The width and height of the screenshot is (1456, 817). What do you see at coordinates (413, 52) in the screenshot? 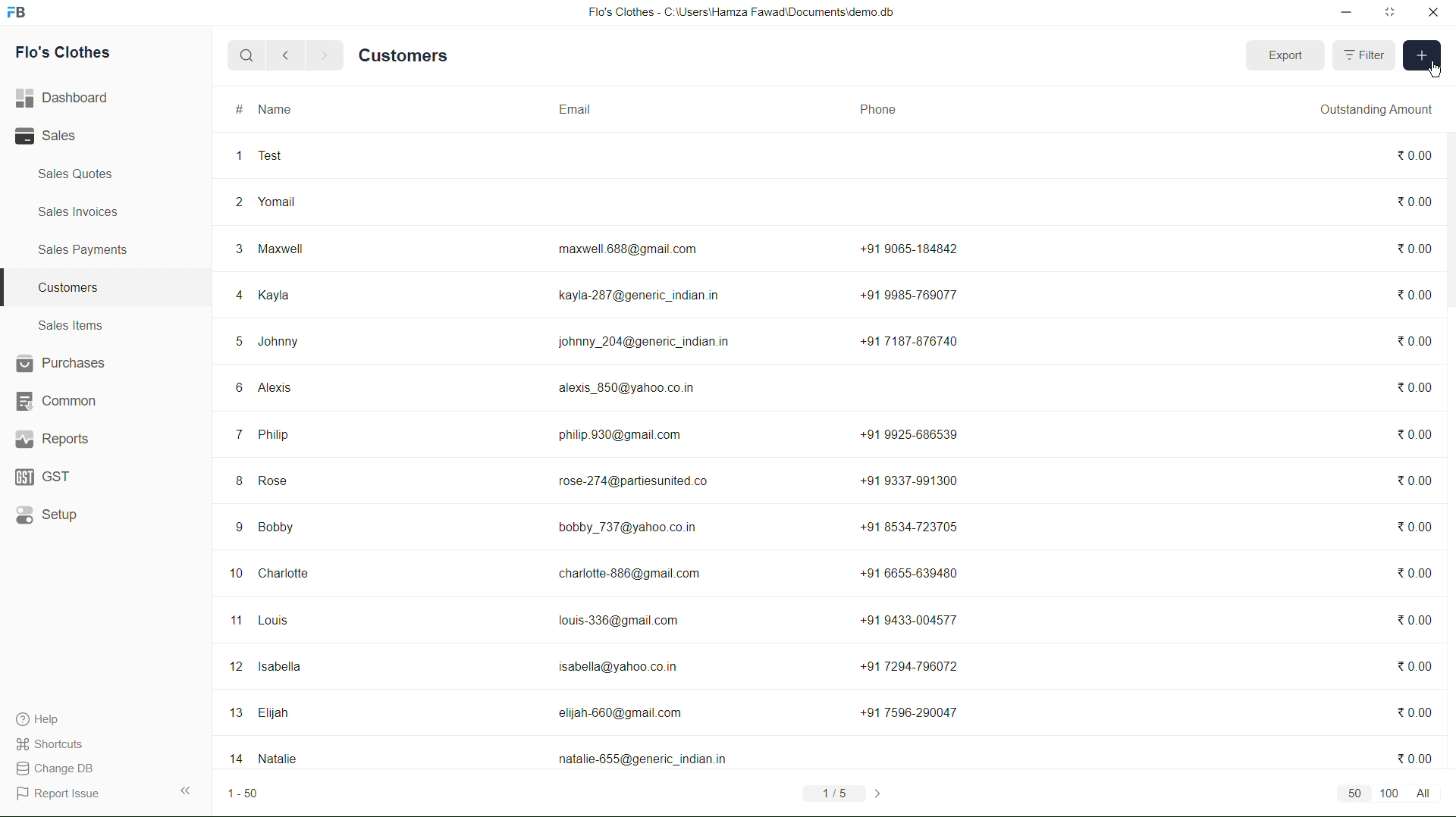
I see `Customers` at bounding box center [413, 52].